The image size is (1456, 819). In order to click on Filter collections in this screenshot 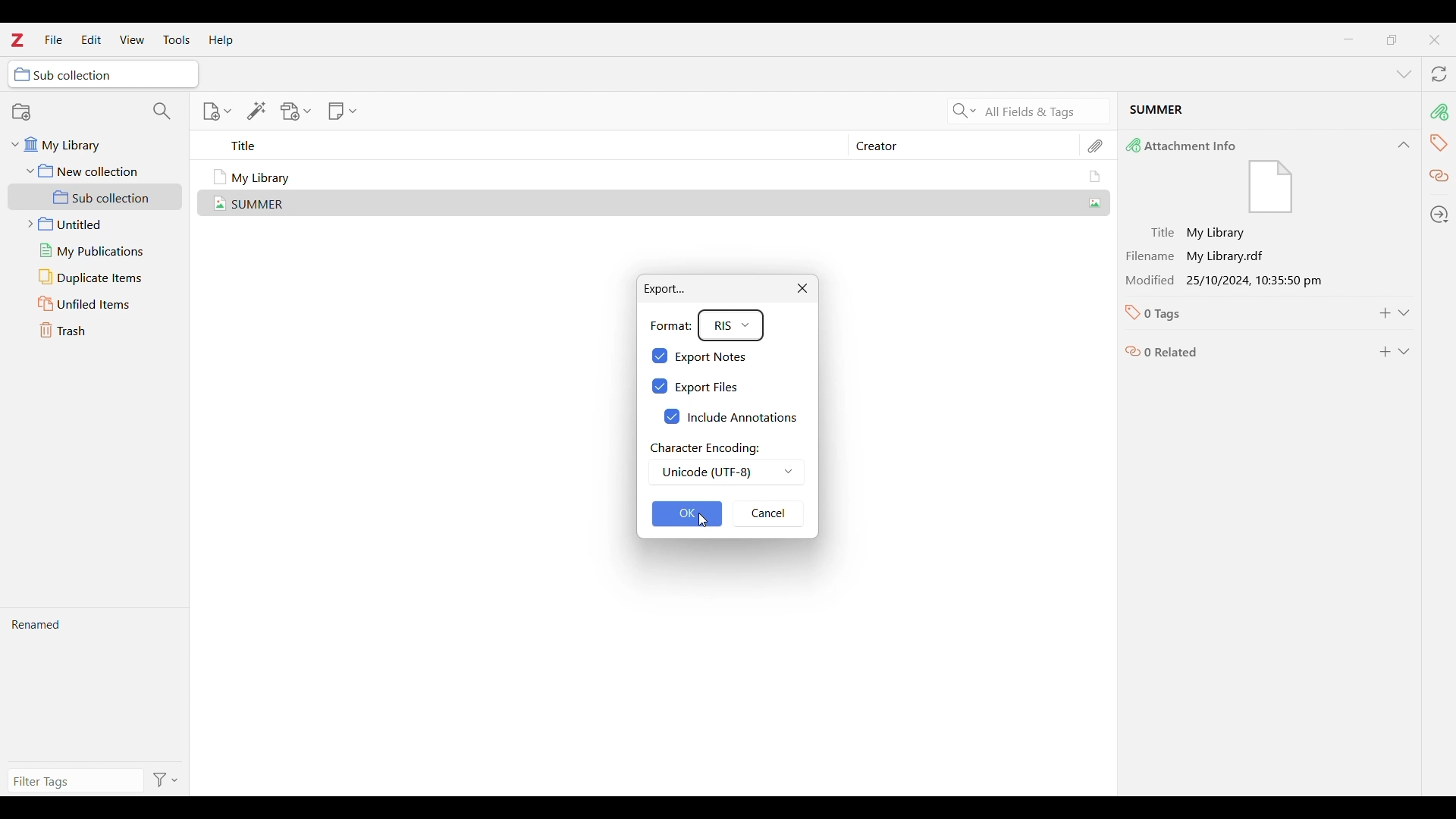, I will do `click(162, 111)`.